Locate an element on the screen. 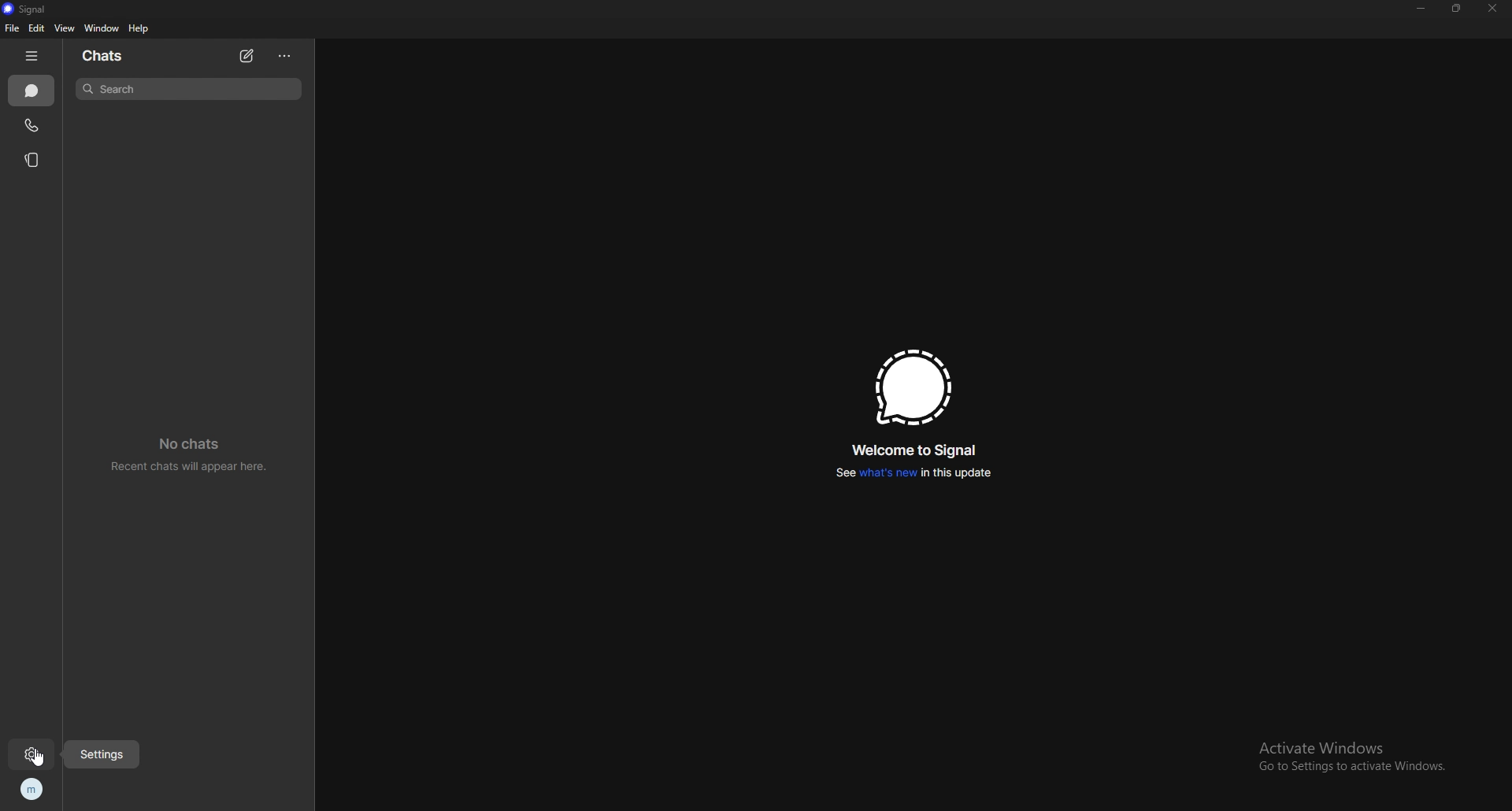 This screenshot has height=811, width=1512. signal is located at coordinates (30, 9).